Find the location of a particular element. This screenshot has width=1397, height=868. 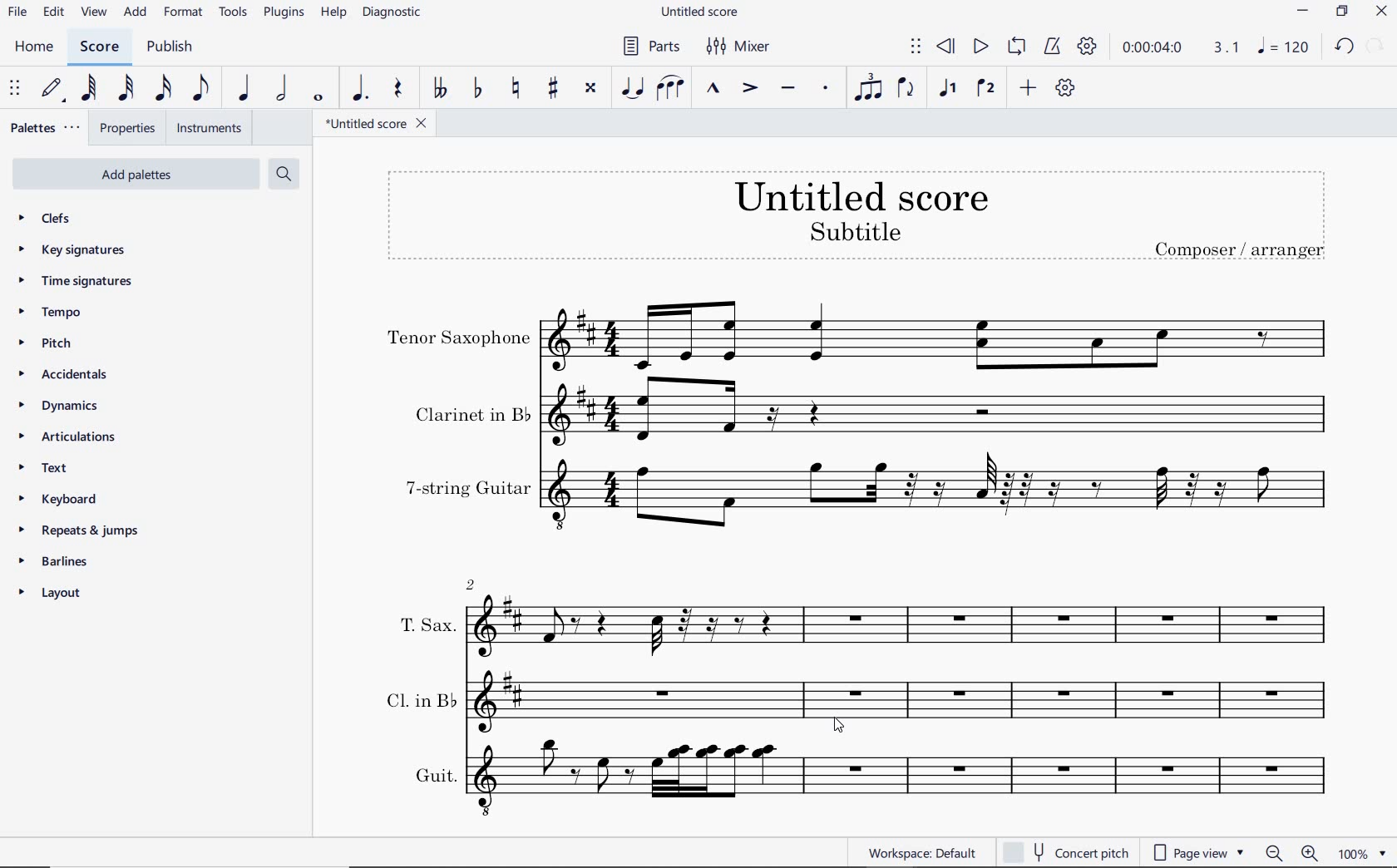

zoom factor is located at coordinates (1360, 851).